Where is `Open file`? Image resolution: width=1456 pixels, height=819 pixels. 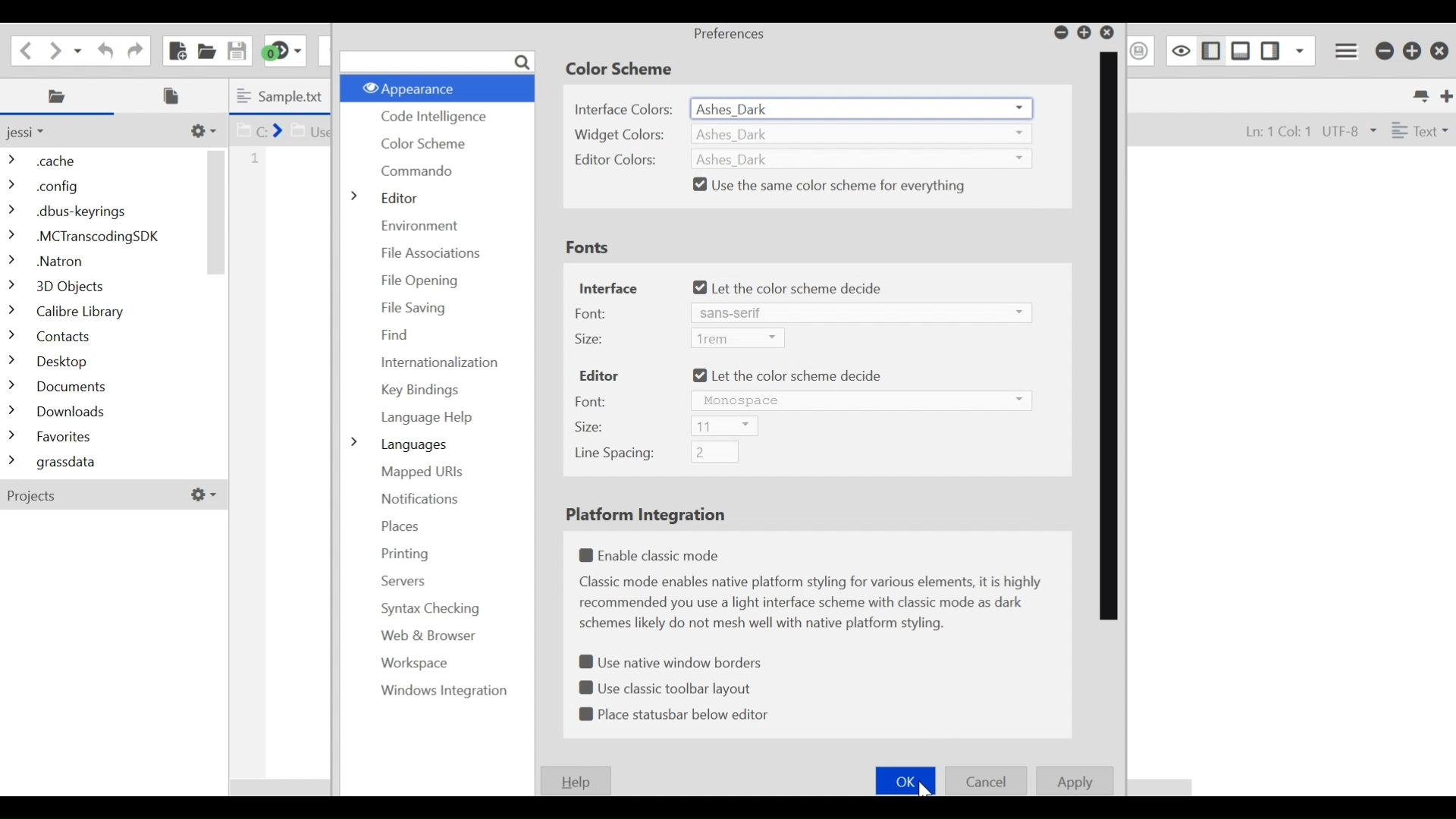 Open file is located at coordinates (206, 49).